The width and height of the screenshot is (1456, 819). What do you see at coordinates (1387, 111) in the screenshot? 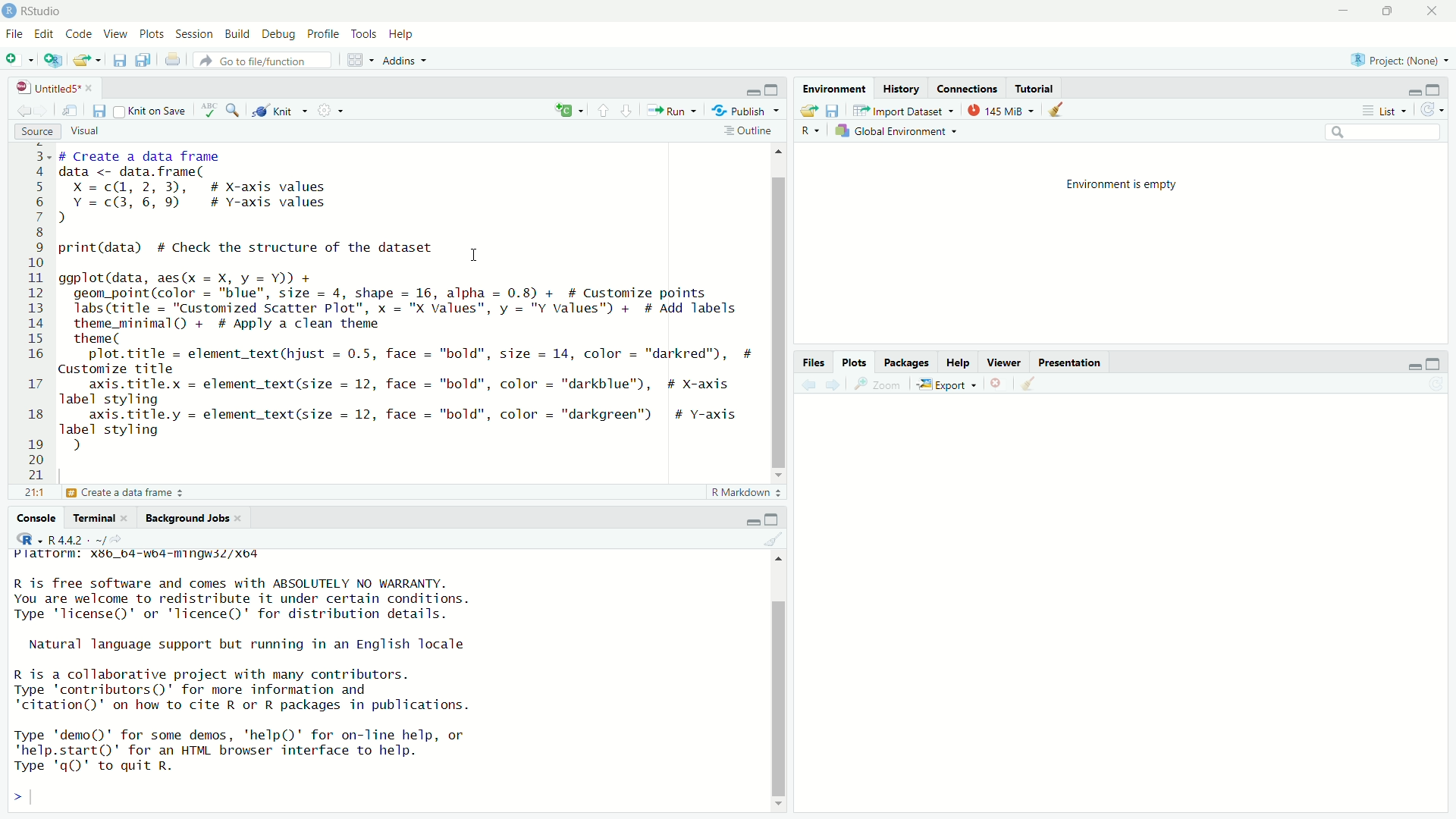
I see `Liist` at bounding box center [1387, 111].